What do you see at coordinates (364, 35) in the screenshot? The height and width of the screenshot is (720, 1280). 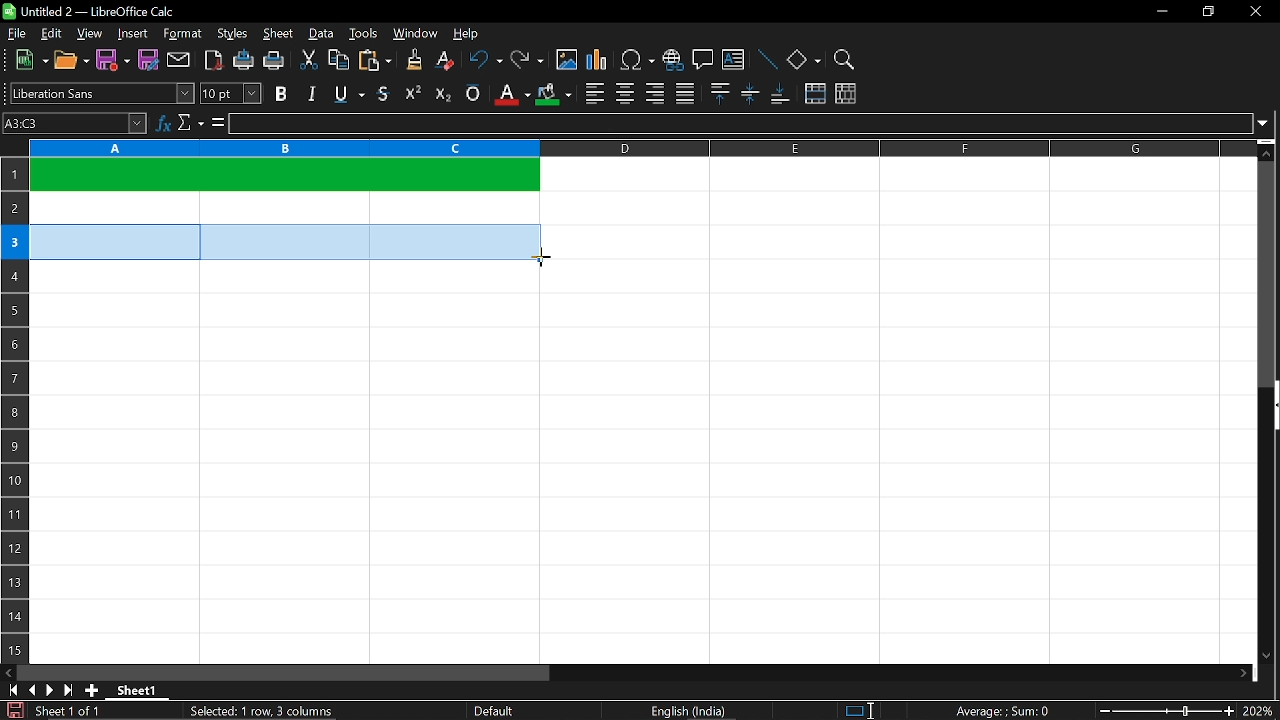 I see `tools` at bounding box center [364, 35].